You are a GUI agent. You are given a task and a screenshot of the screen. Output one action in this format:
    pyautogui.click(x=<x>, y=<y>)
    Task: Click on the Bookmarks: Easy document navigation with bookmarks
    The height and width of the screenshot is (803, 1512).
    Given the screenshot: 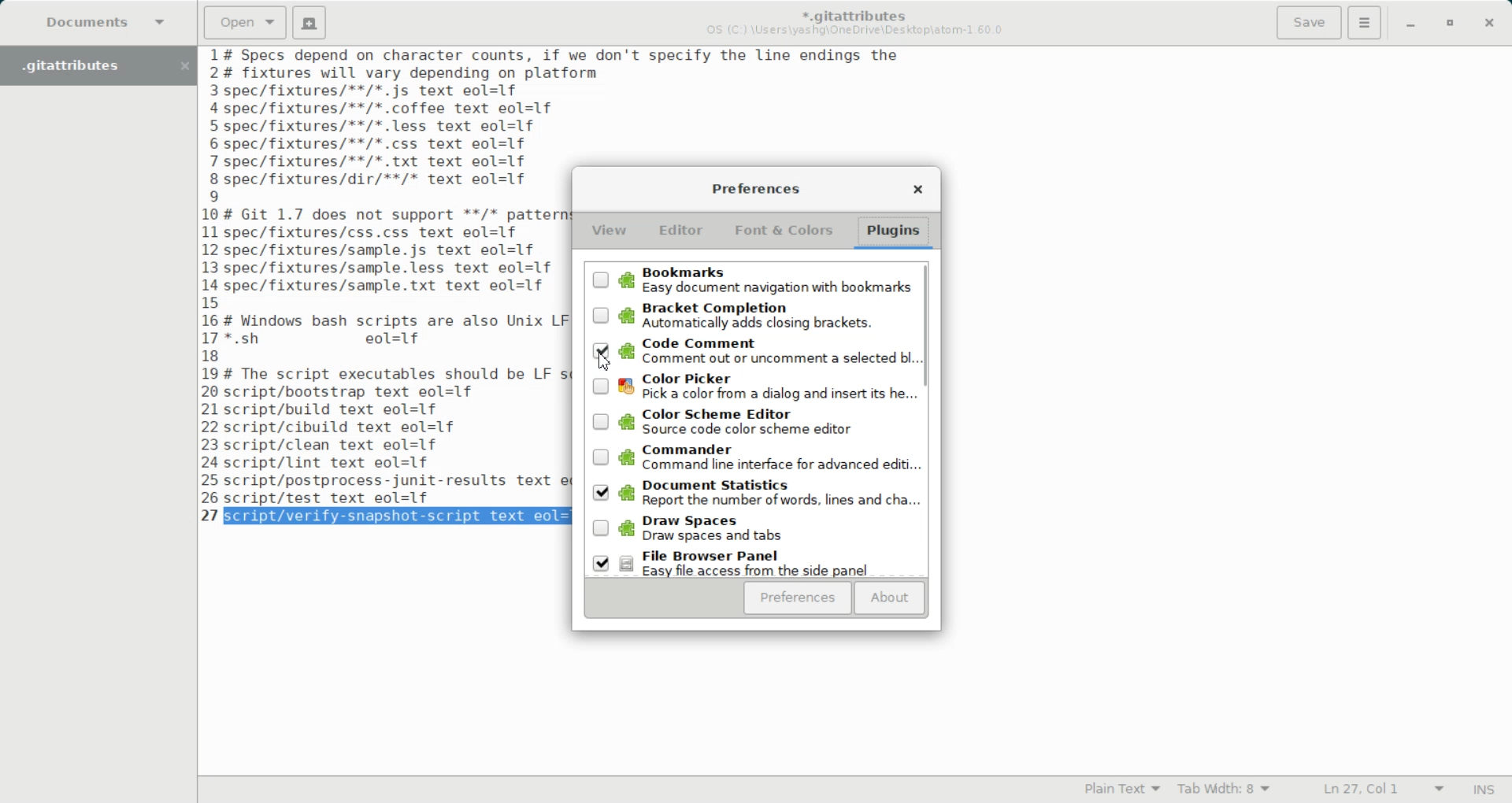 What is the action you would take?
    pyautogui.click(x=749, y=279)
    